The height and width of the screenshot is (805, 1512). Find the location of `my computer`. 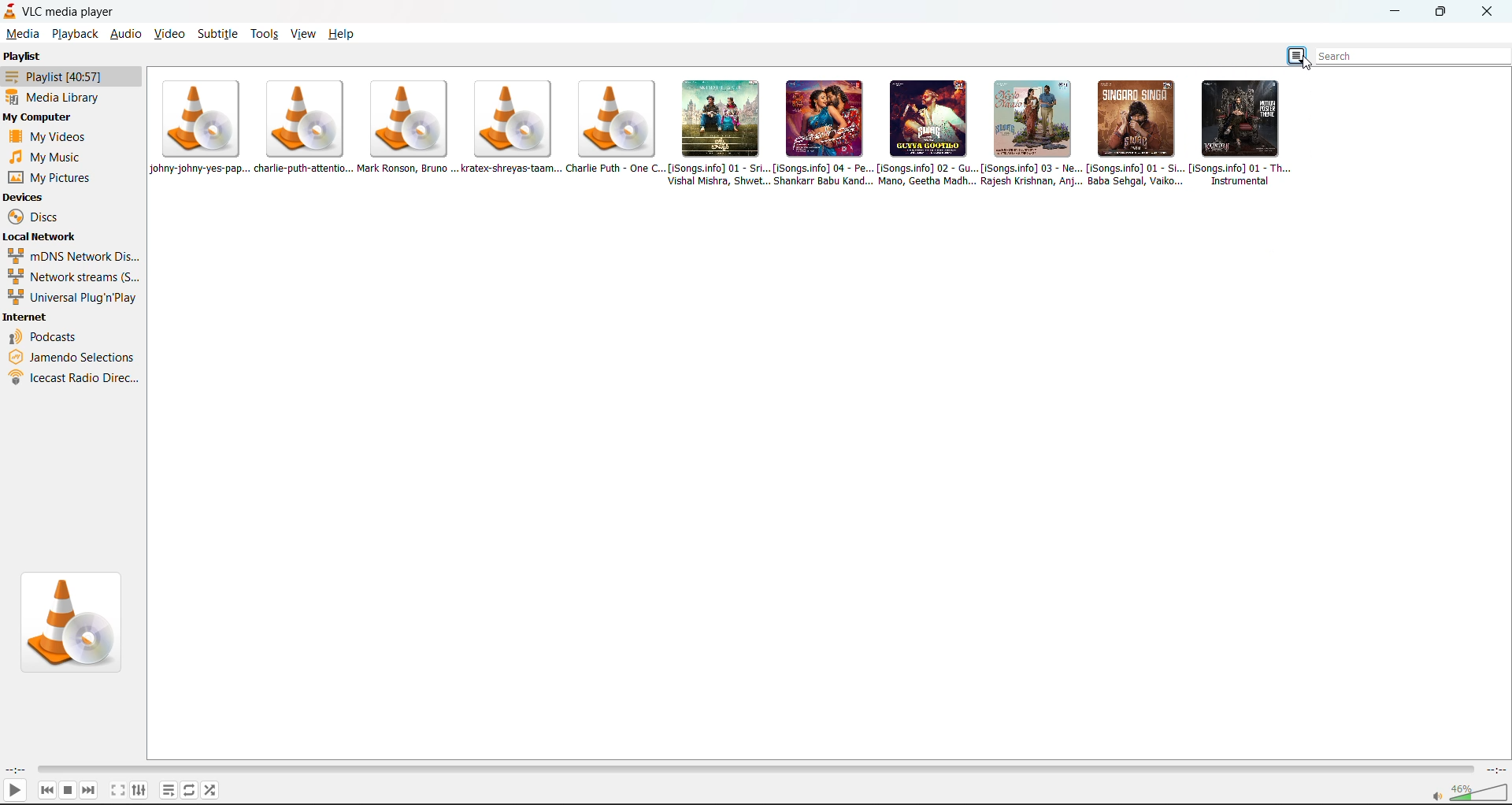

my computer is located at coordinates (41, 117).